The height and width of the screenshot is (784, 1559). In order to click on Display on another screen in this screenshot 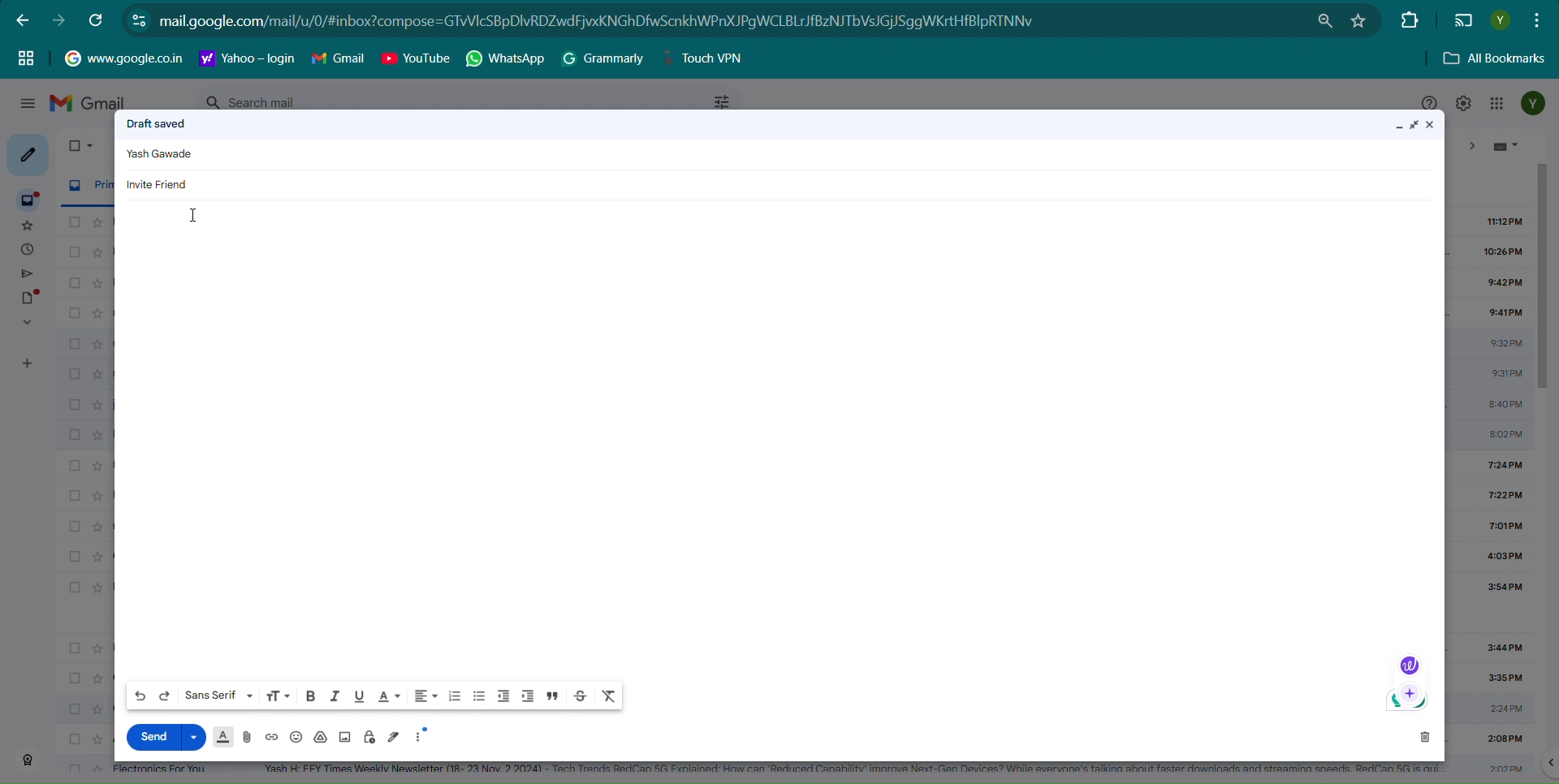, I will do `click(1463, 21)`.